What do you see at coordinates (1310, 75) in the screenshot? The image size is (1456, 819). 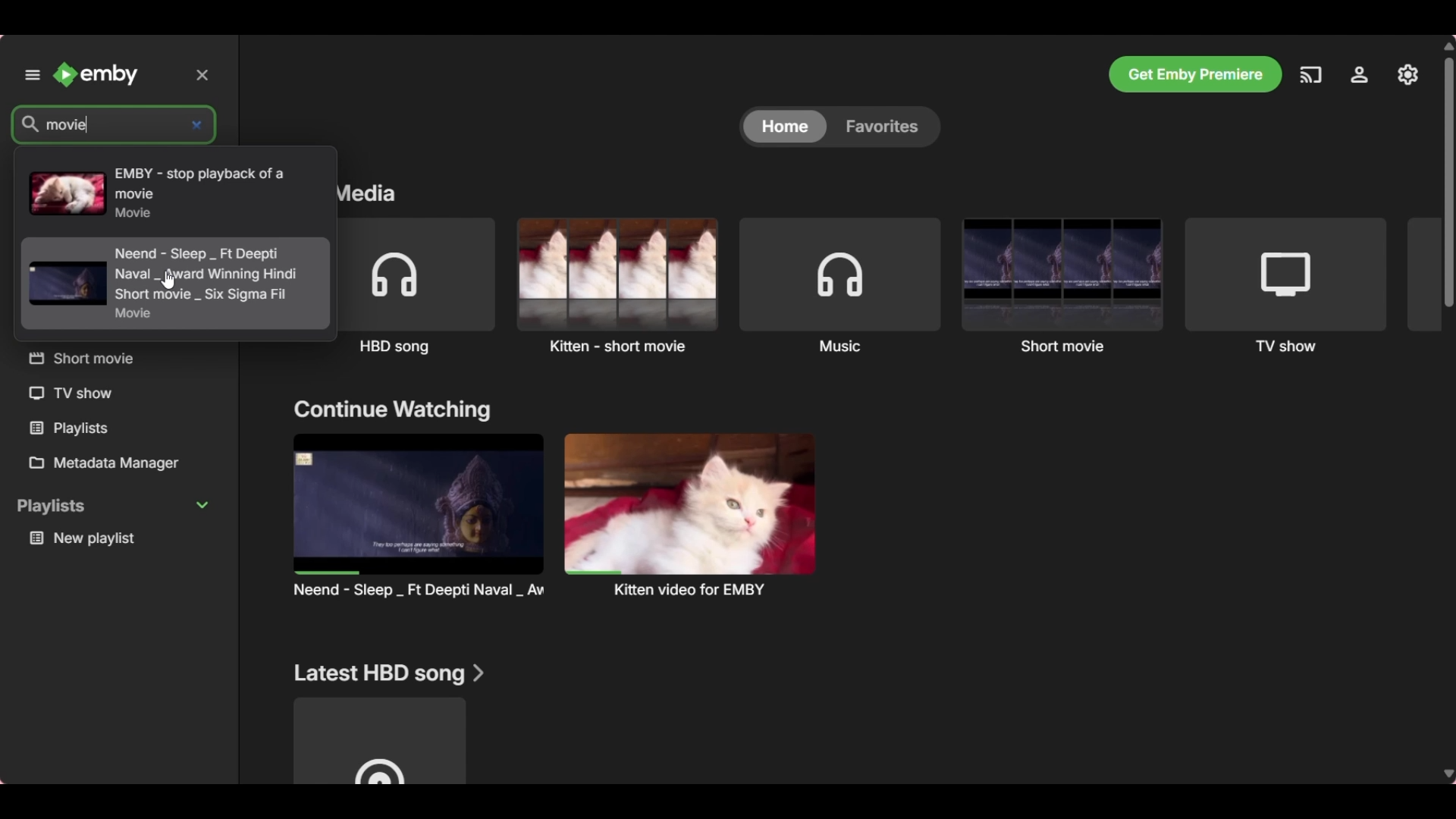 I see `Play on another device` at bounding box center [1310, 75].